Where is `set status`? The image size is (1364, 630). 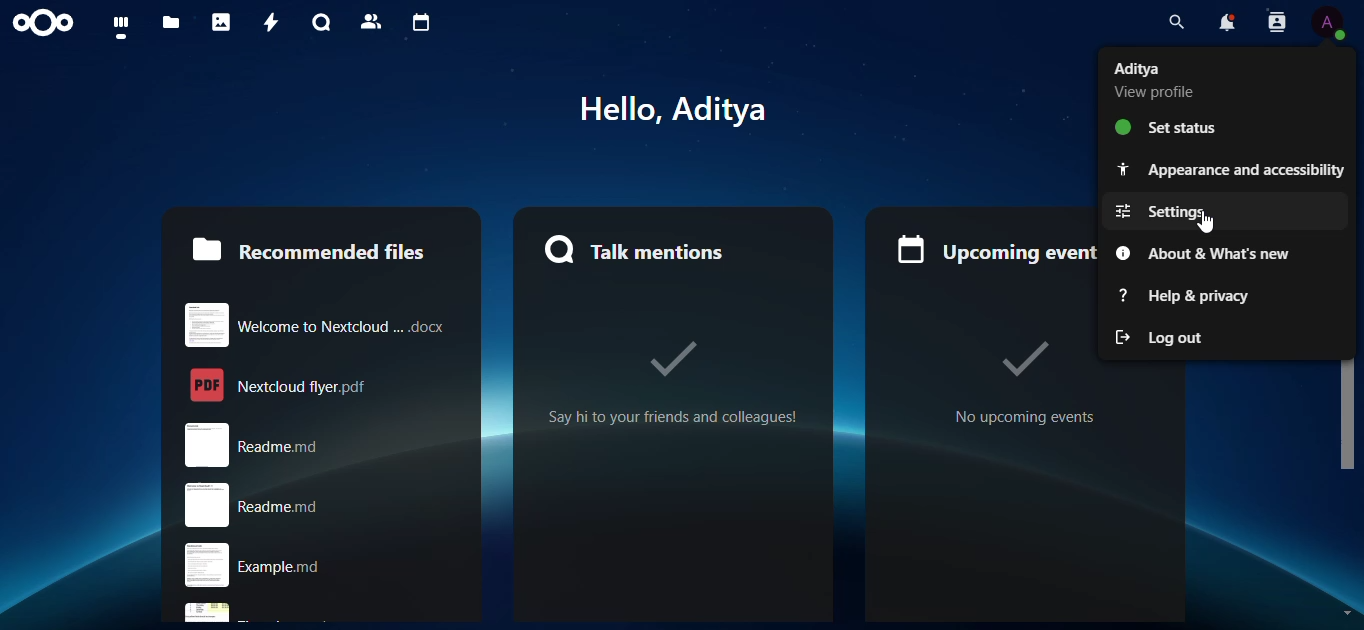
set status is located at coordinates (1163, 128).